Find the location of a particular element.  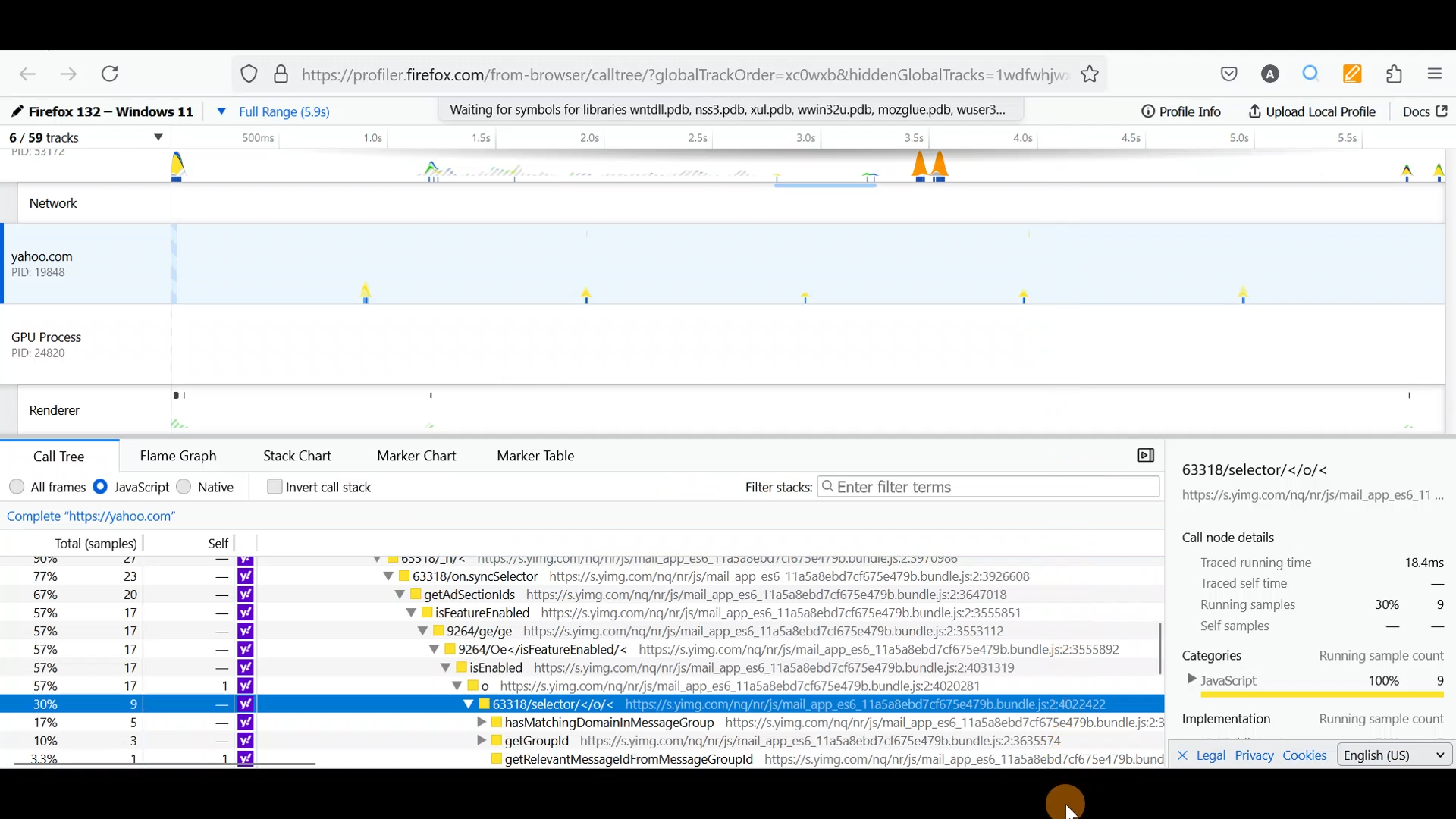

cursor is located at coordinates (1066, 808).